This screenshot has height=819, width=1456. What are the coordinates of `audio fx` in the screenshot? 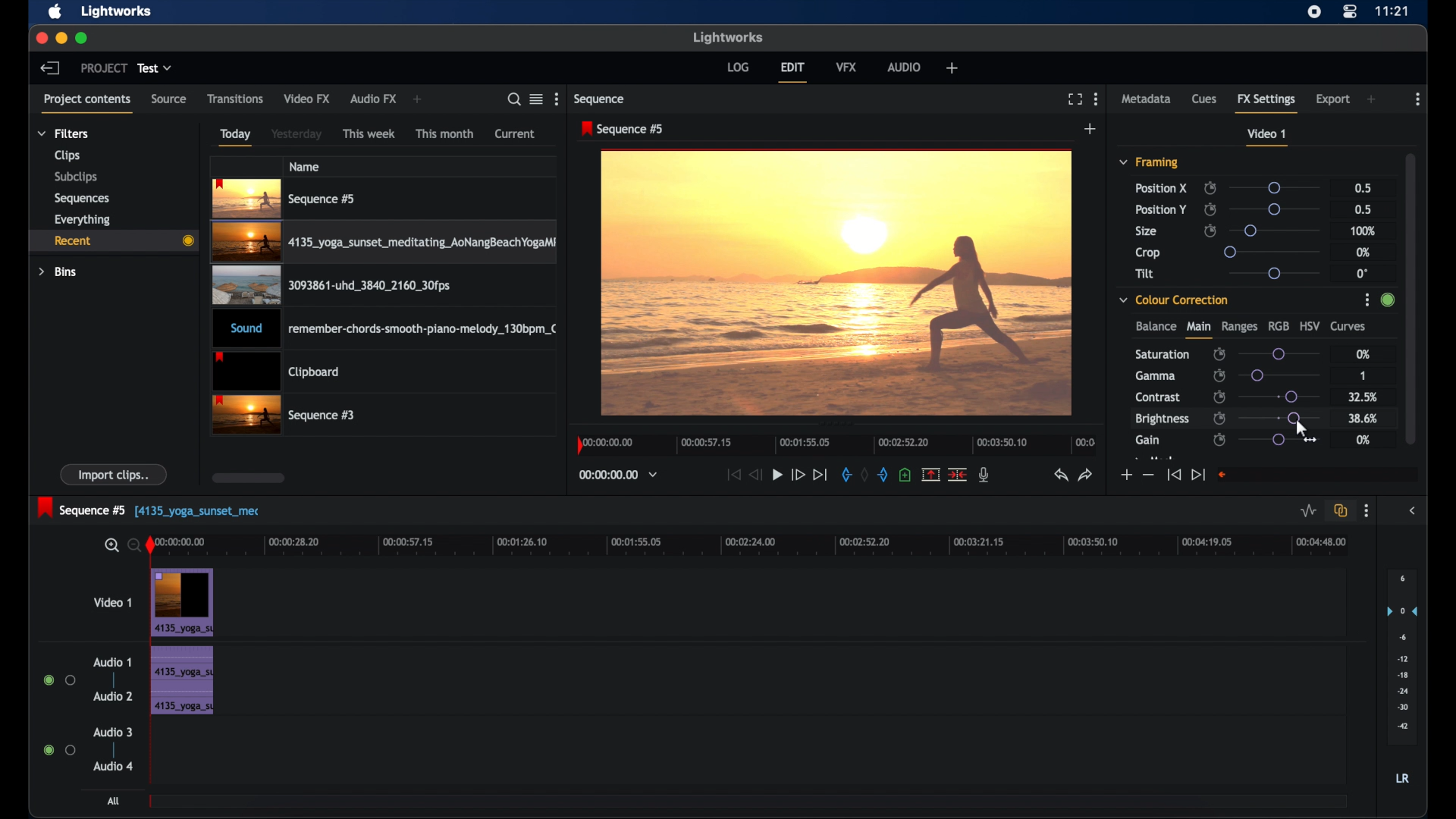 It's located at (373, 99).